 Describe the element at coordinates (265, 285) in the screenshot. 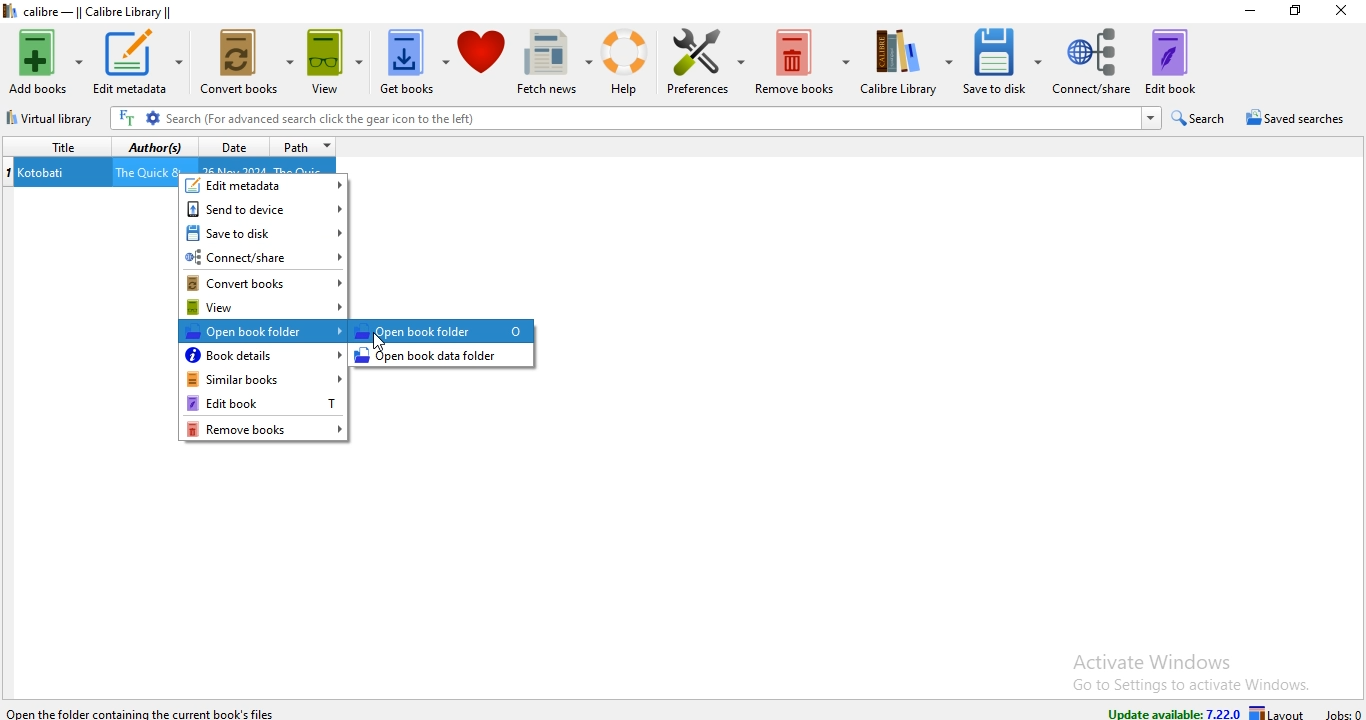

I see `convert books` at that location.